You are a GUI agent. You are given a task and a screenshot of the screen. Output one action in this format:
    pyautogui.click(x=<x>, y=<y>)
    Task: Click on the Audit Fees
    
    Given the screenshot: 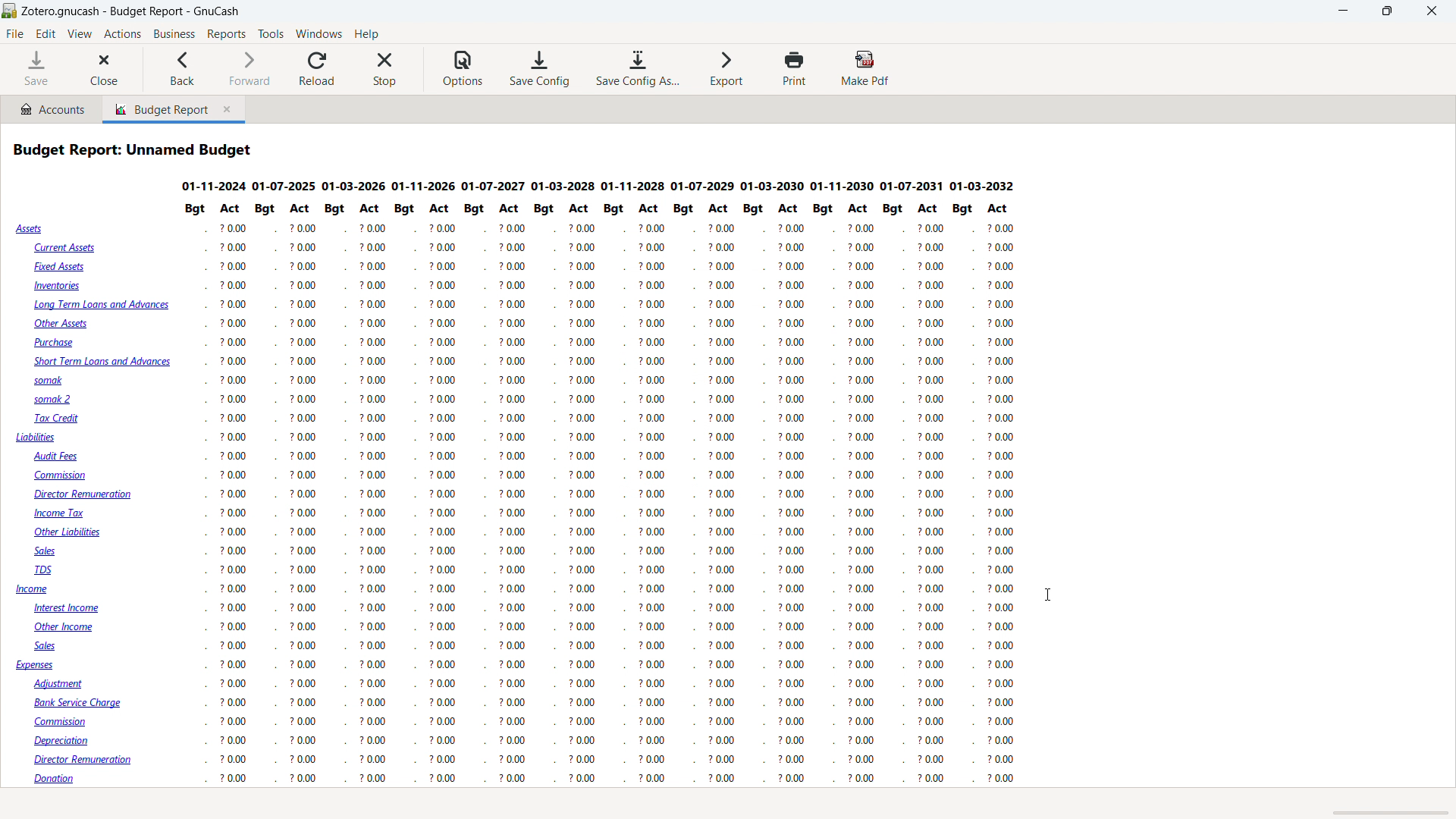 What is the action you would take?
    pyautogui.click(x=57, y=457)
    